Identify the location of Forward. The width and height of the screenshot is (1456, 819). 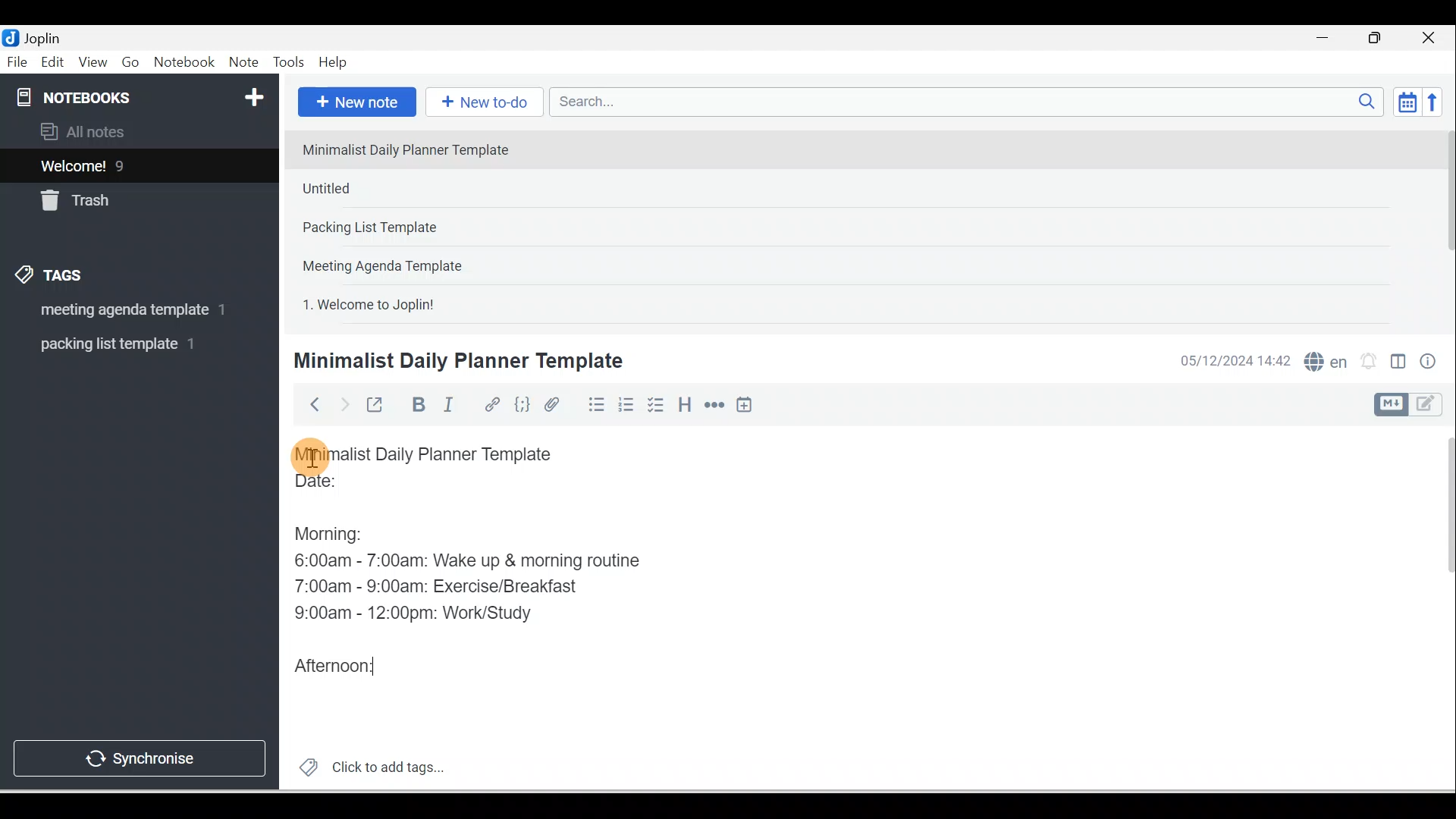
(343, 403).